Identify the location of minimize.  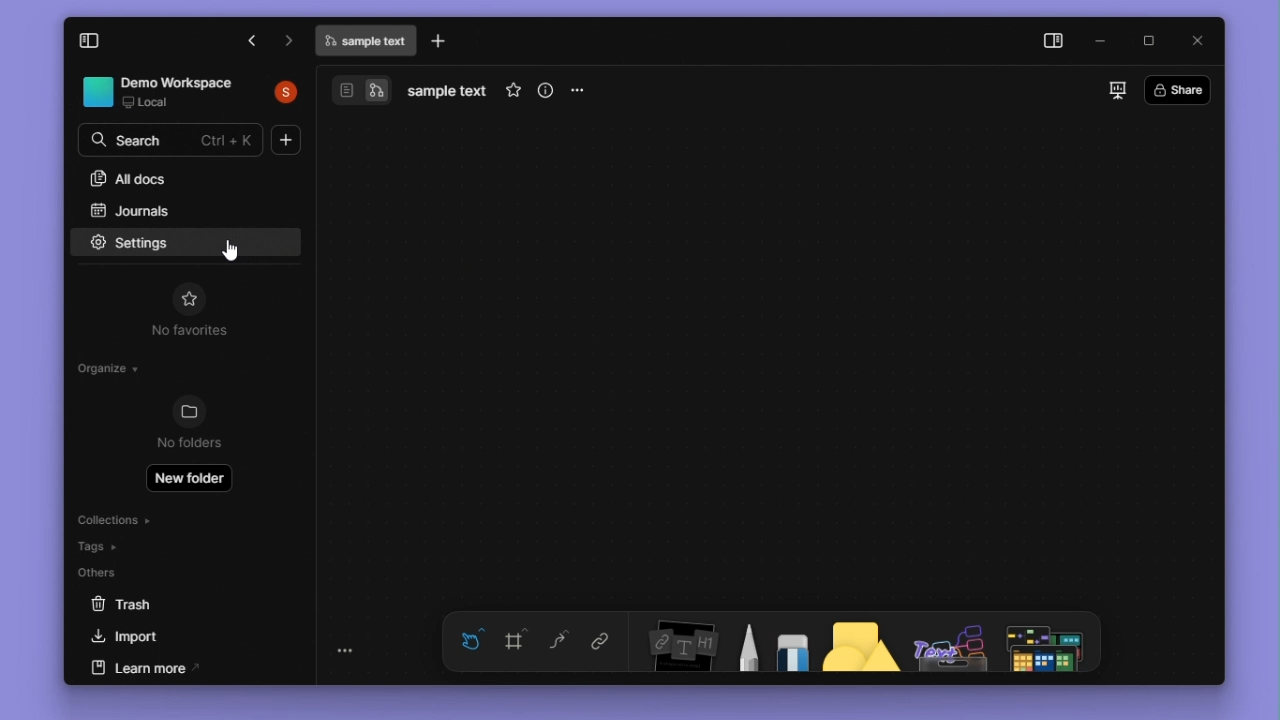
(1108, 41).